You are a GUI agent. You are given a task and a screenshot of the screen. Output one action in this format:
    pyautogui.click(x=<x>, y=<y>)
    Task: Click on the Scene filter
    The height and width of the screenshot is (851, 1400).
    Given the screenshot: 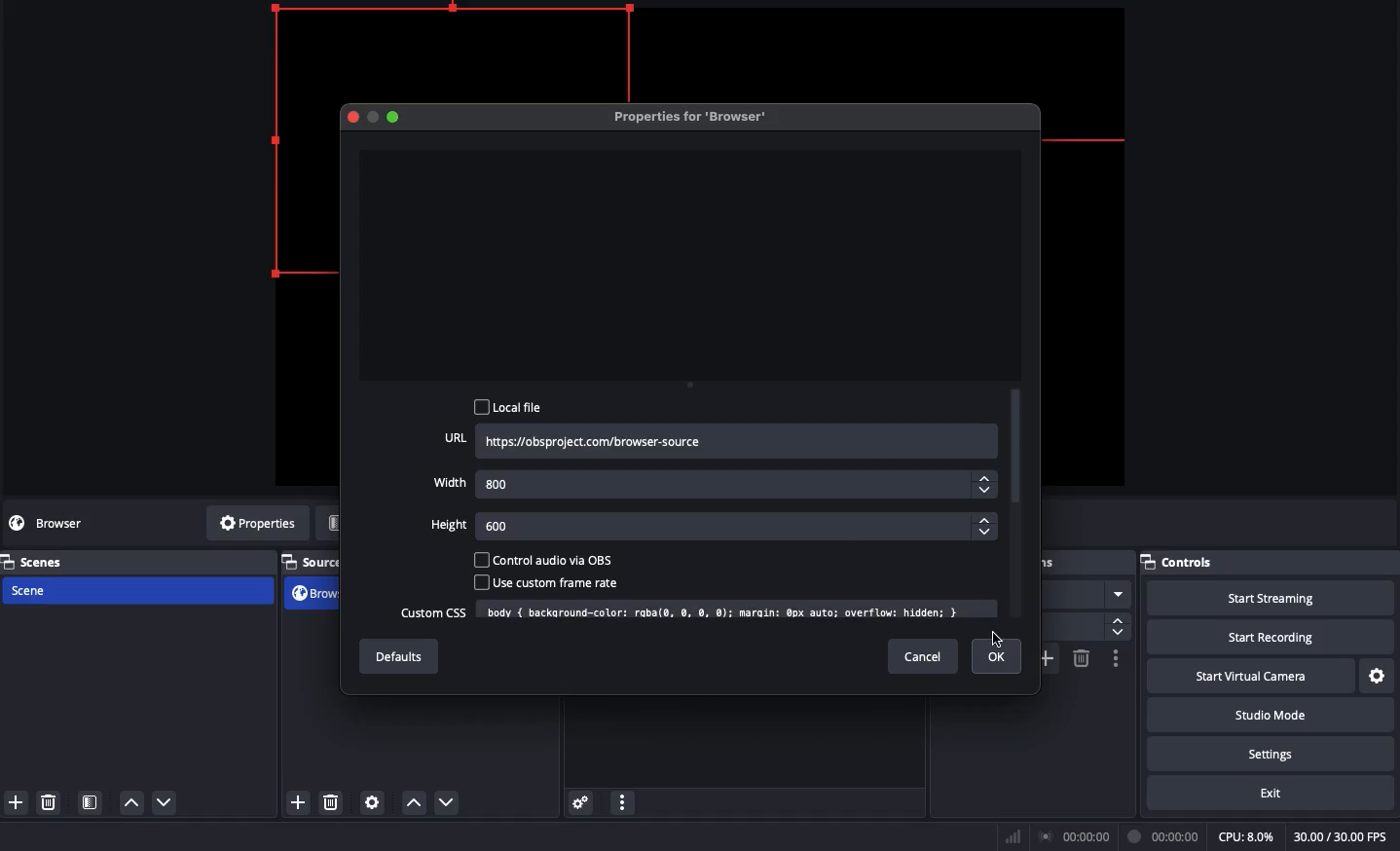 What is the action you would take?
    pyautogui.click(x=89, y=798)
    